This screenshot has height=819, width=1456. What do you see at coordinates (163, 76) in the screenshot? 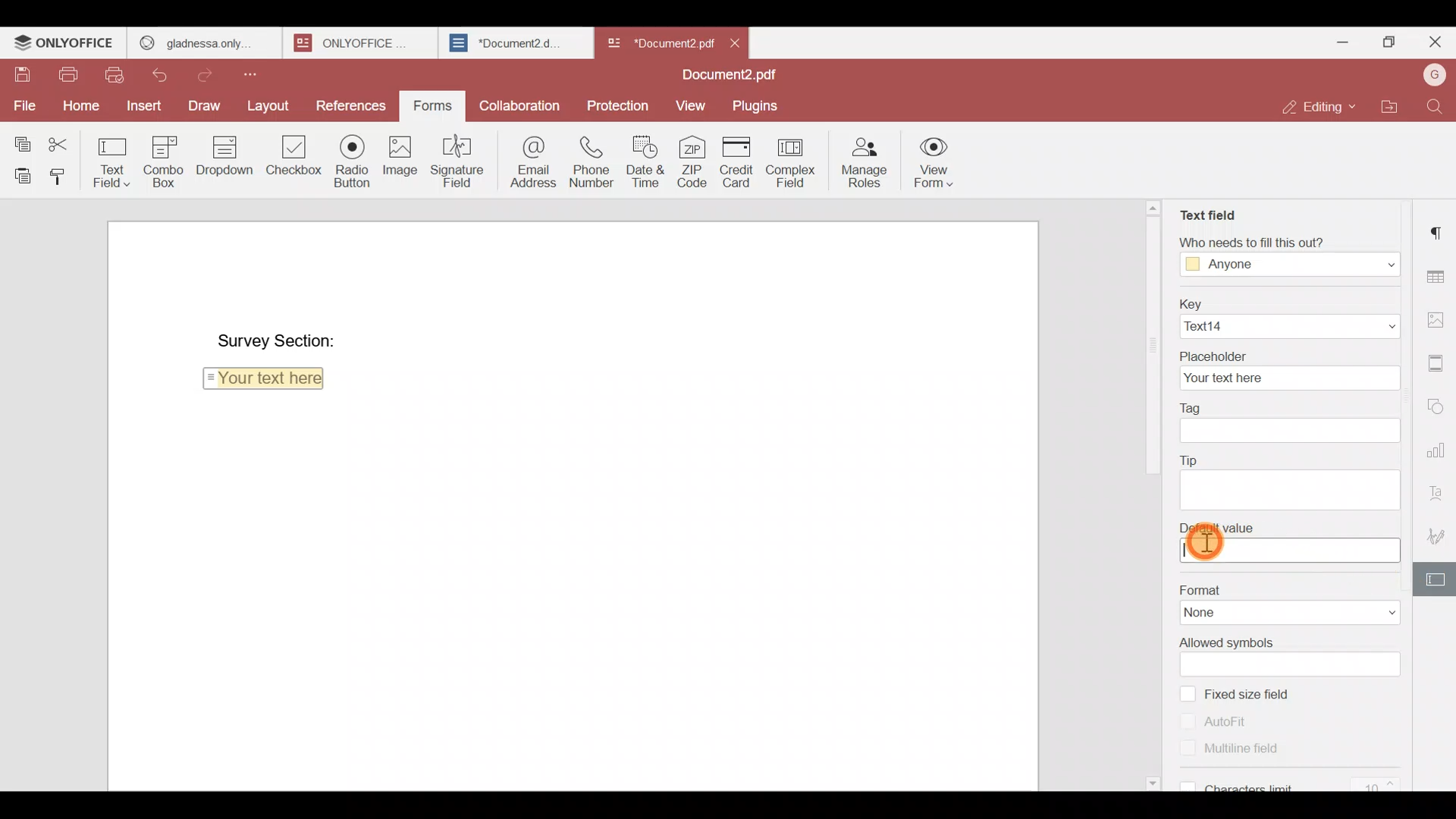
I see `Undo` at bounding box center [163, 76].